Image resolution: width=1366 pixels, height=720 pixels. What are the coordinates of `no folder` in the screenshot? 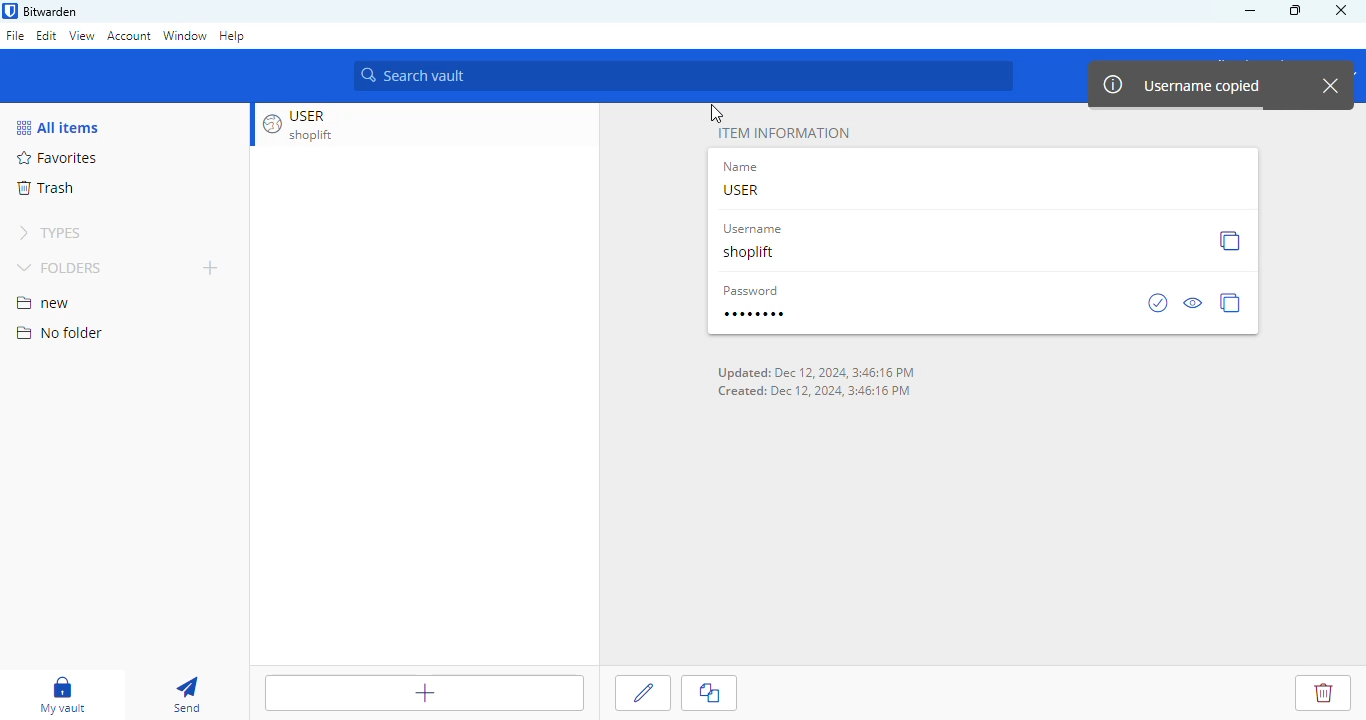 It's located at (59, 332).